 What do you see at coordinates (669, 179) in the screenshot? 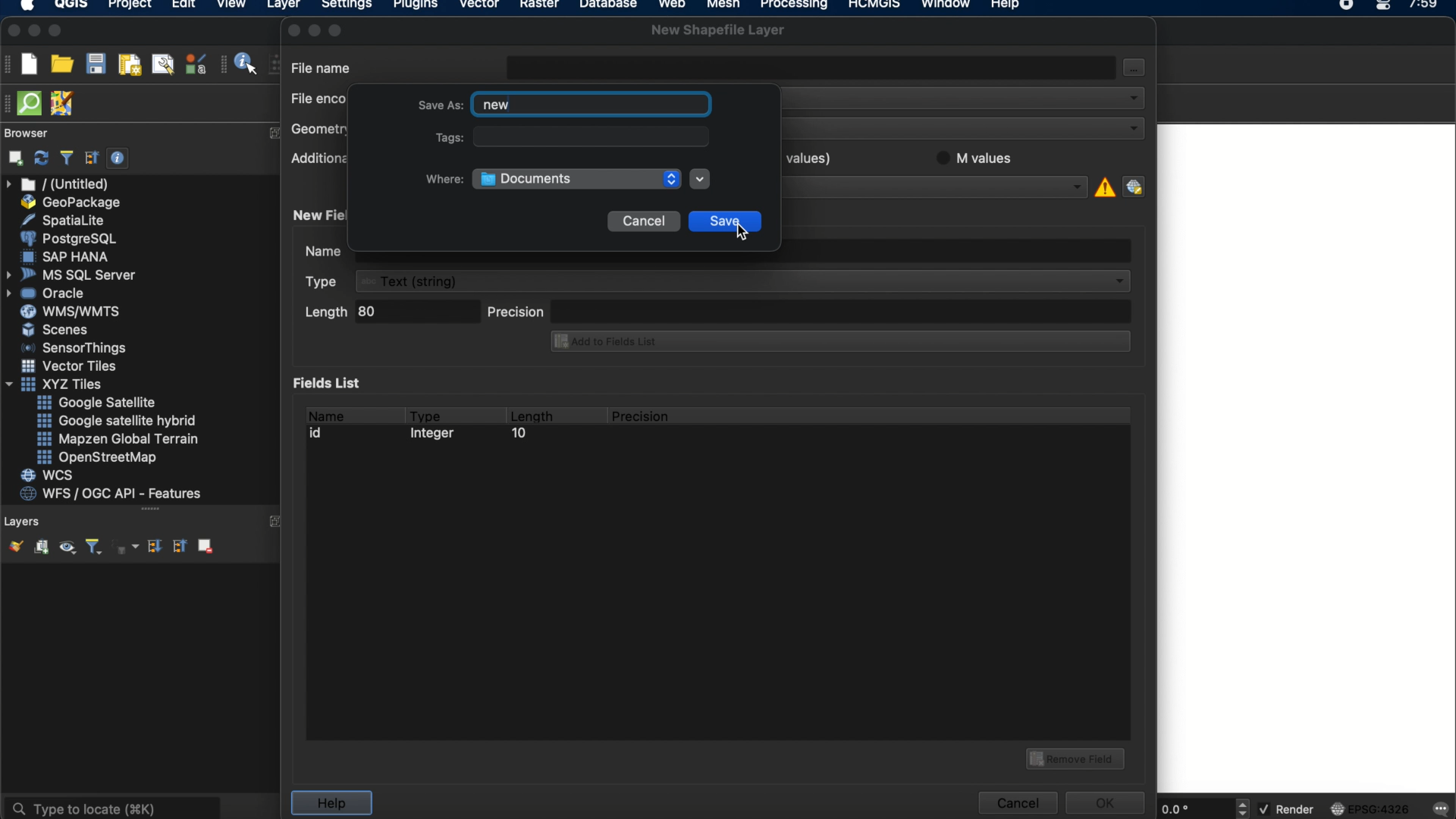
I see `Page up/down` at bounding box center [669, 179].